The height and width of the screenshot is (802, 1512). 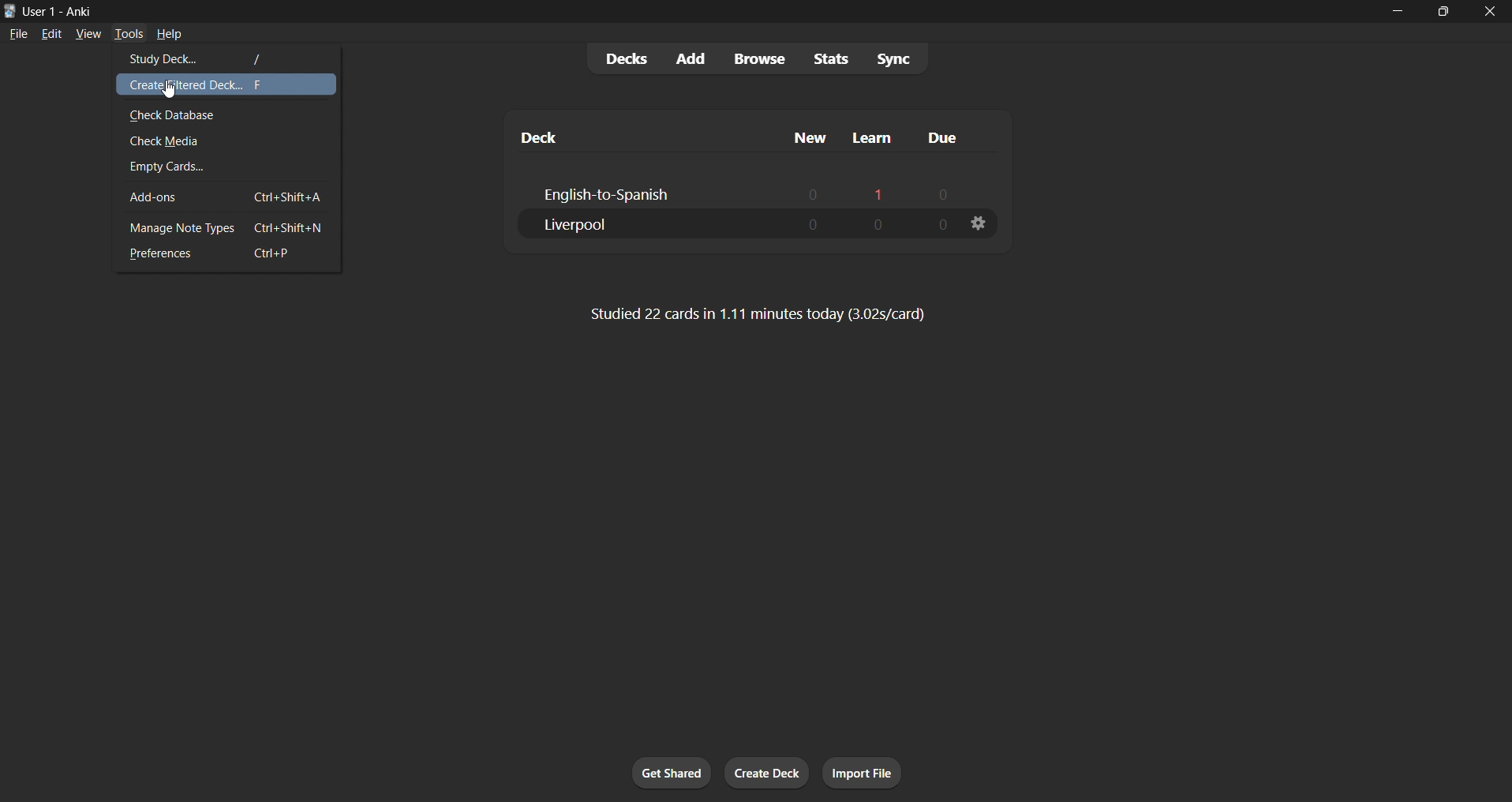 I want to click on title bar, so click(x=649, y=12).